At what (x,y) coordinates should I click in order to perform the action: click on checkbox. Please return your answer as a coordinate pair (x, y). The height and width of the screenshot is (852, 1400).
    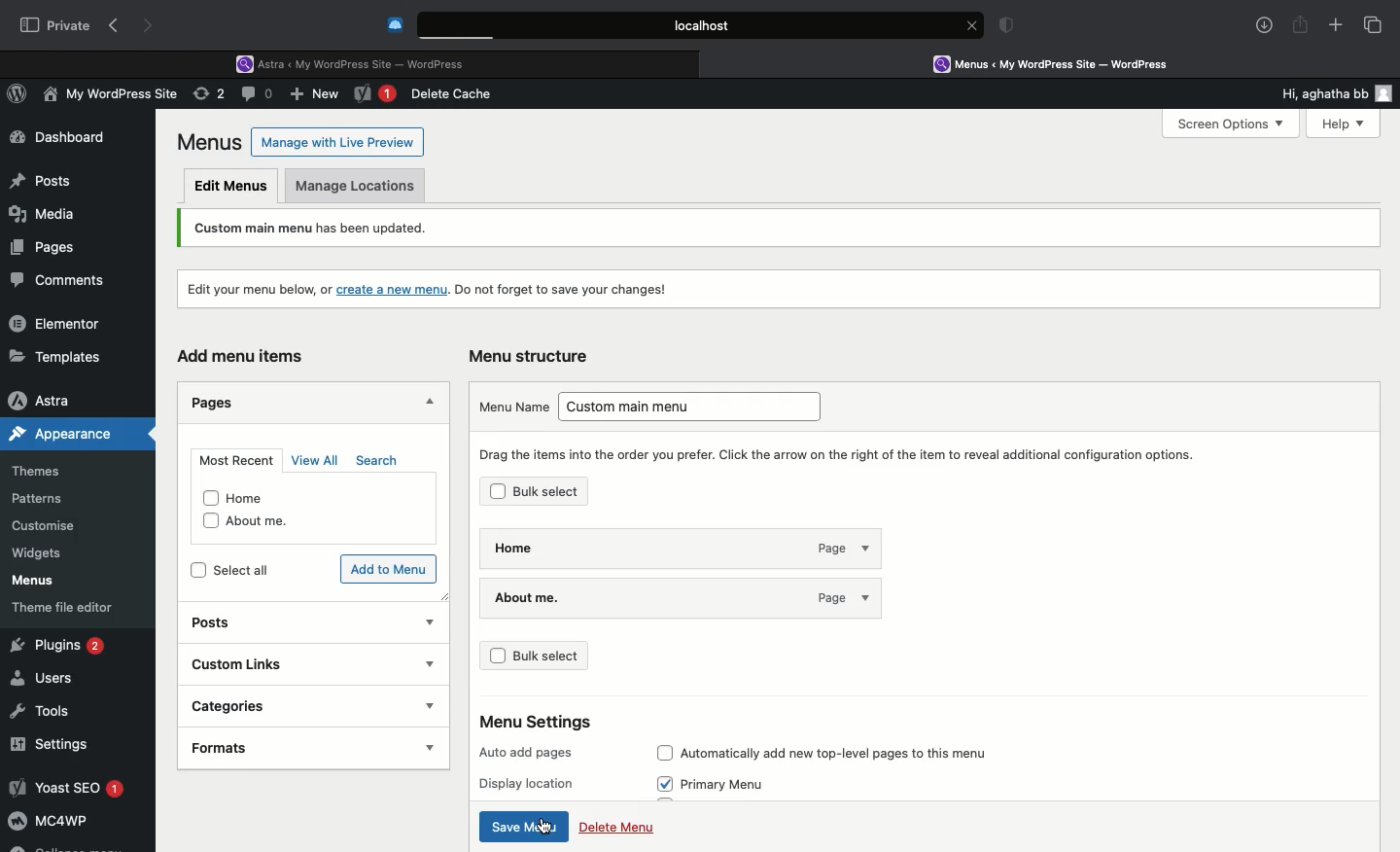
    Looking at the image, I should click on (498, 490).